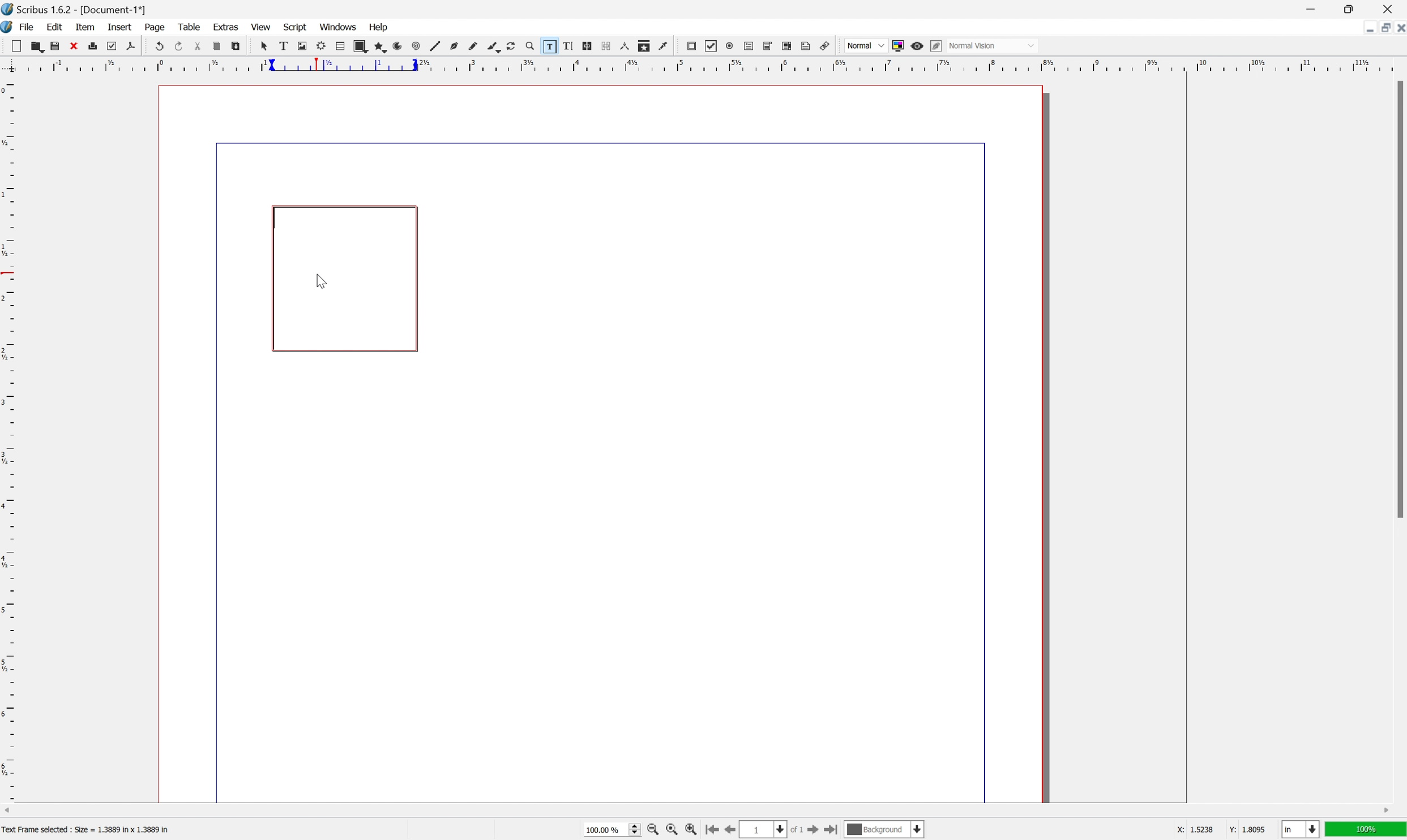  What do you see at coordinates (806, 46) in the screenshot?
I see `text annotation` at bounding box center [806, 46].